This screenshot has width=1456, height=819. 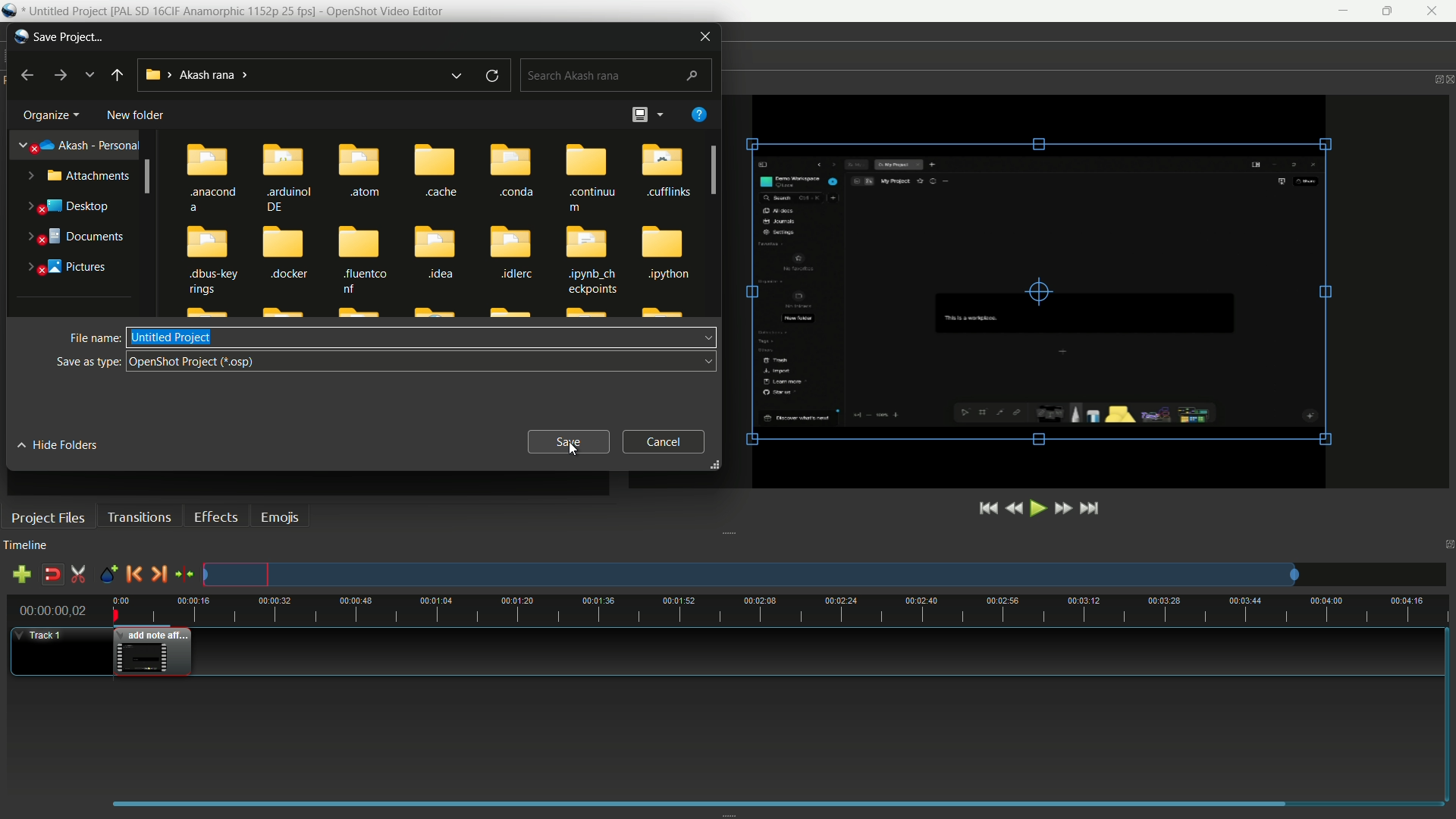 I want to click on .dbus-key
rings, so click(x=212, y=261).